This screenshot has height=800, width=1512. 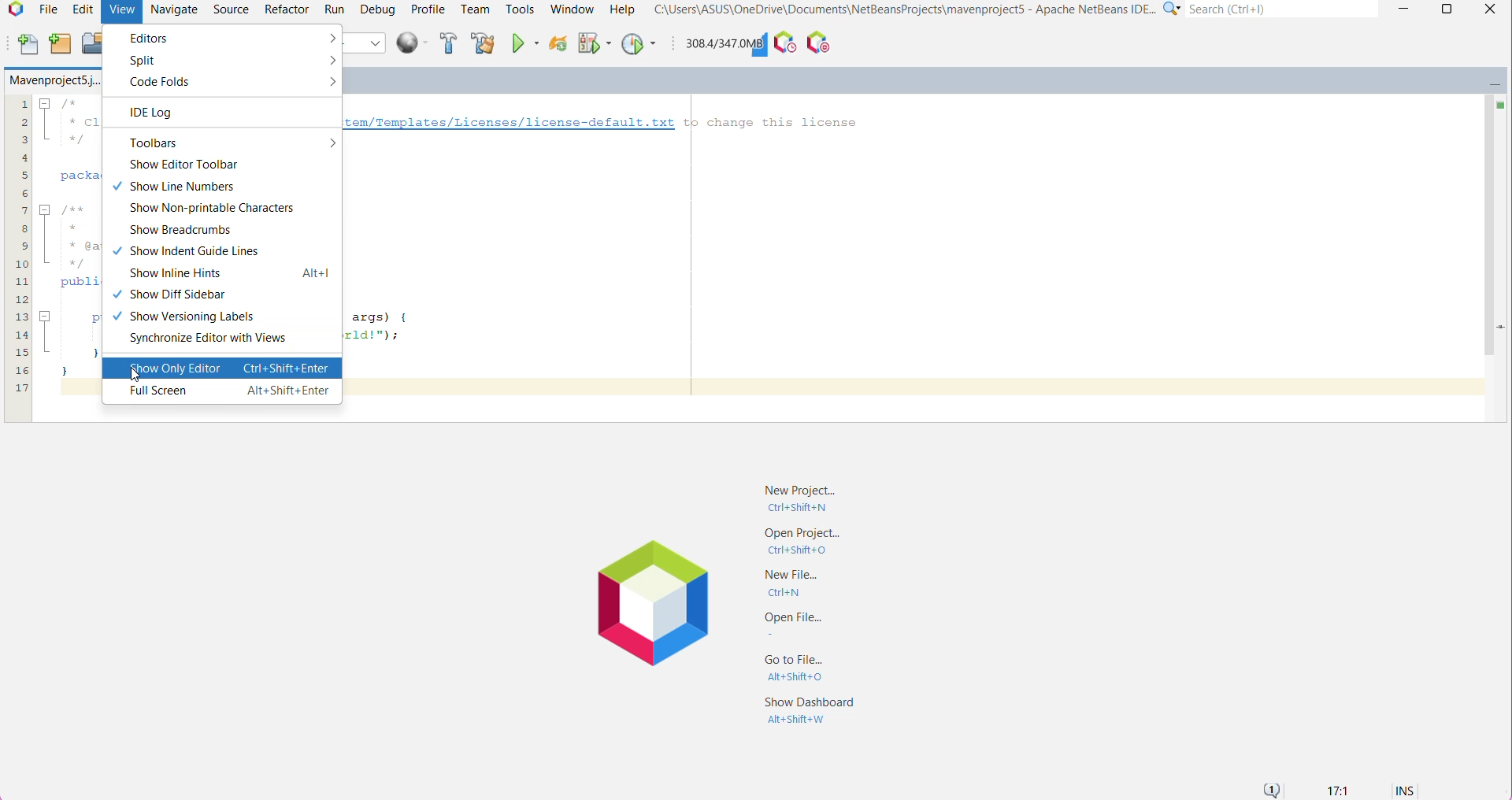 What do you see at coordinates (1503, 106) in the screenshot?
I see `No errors` at bounding box center [1503, 106].